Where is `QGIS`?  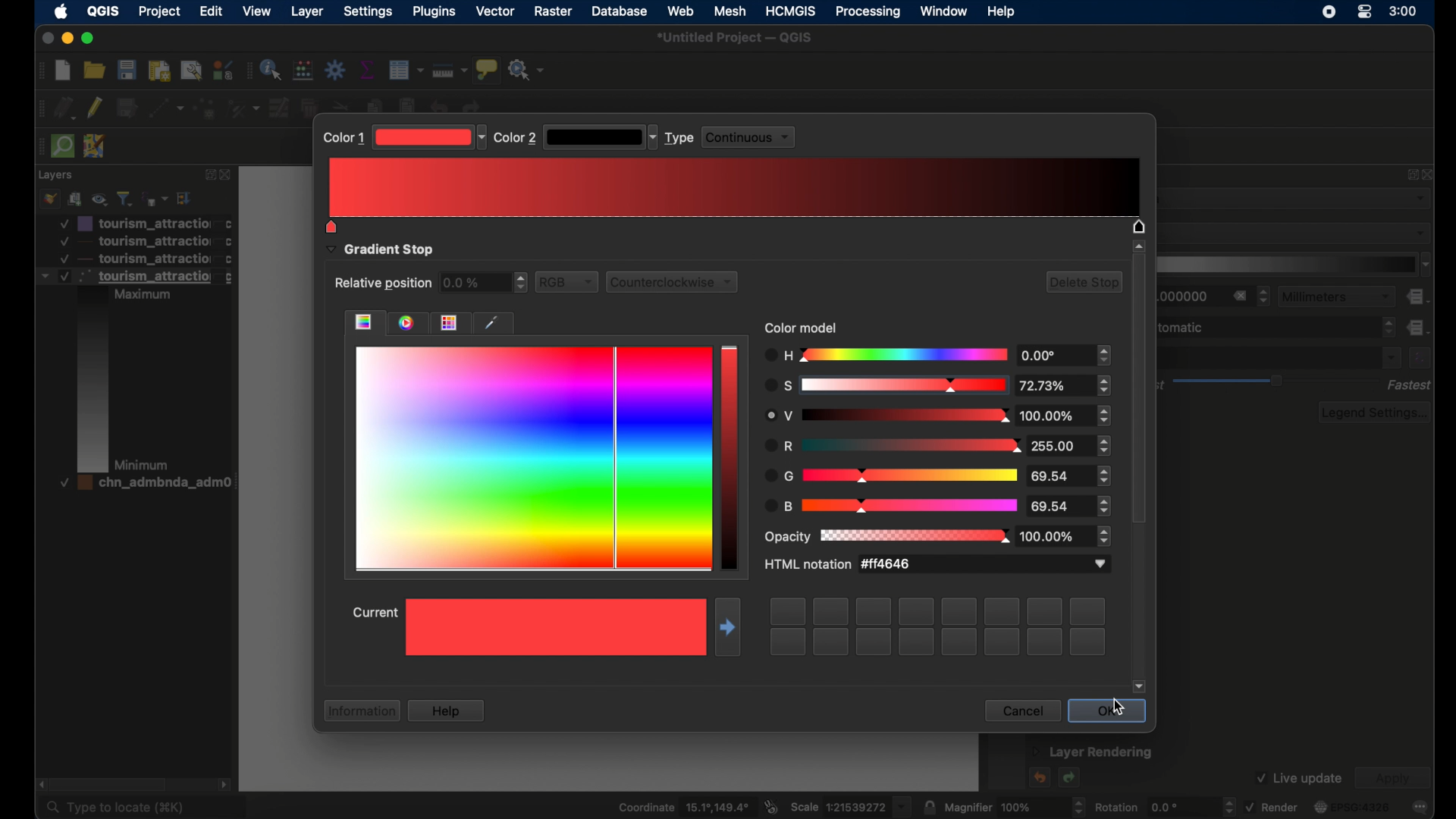 QGIS is located at coordinates (102, 11).